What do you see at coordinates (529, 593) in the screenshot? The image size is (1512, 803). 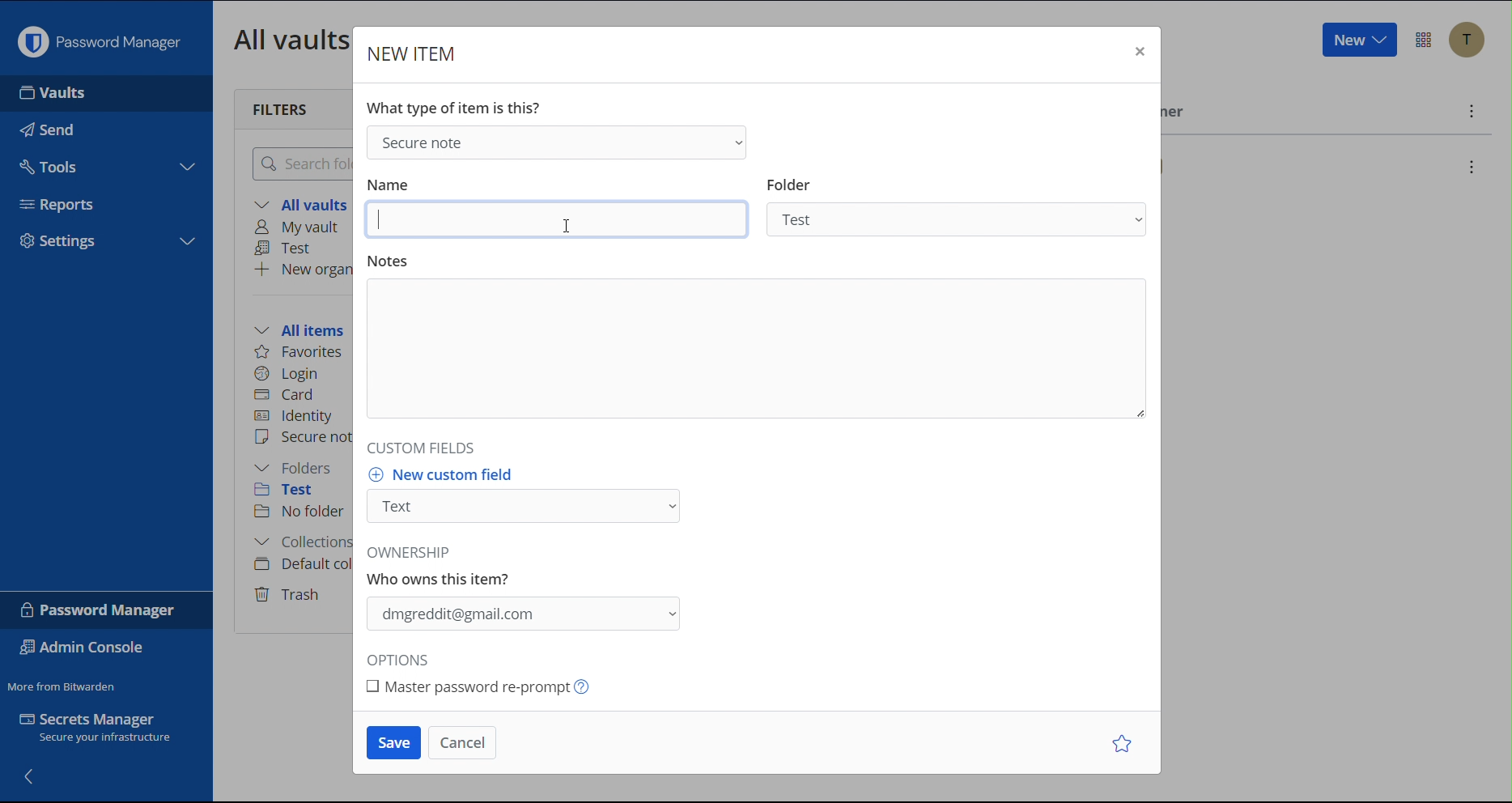 I see `Ownership` at bounding box center [529, 593].